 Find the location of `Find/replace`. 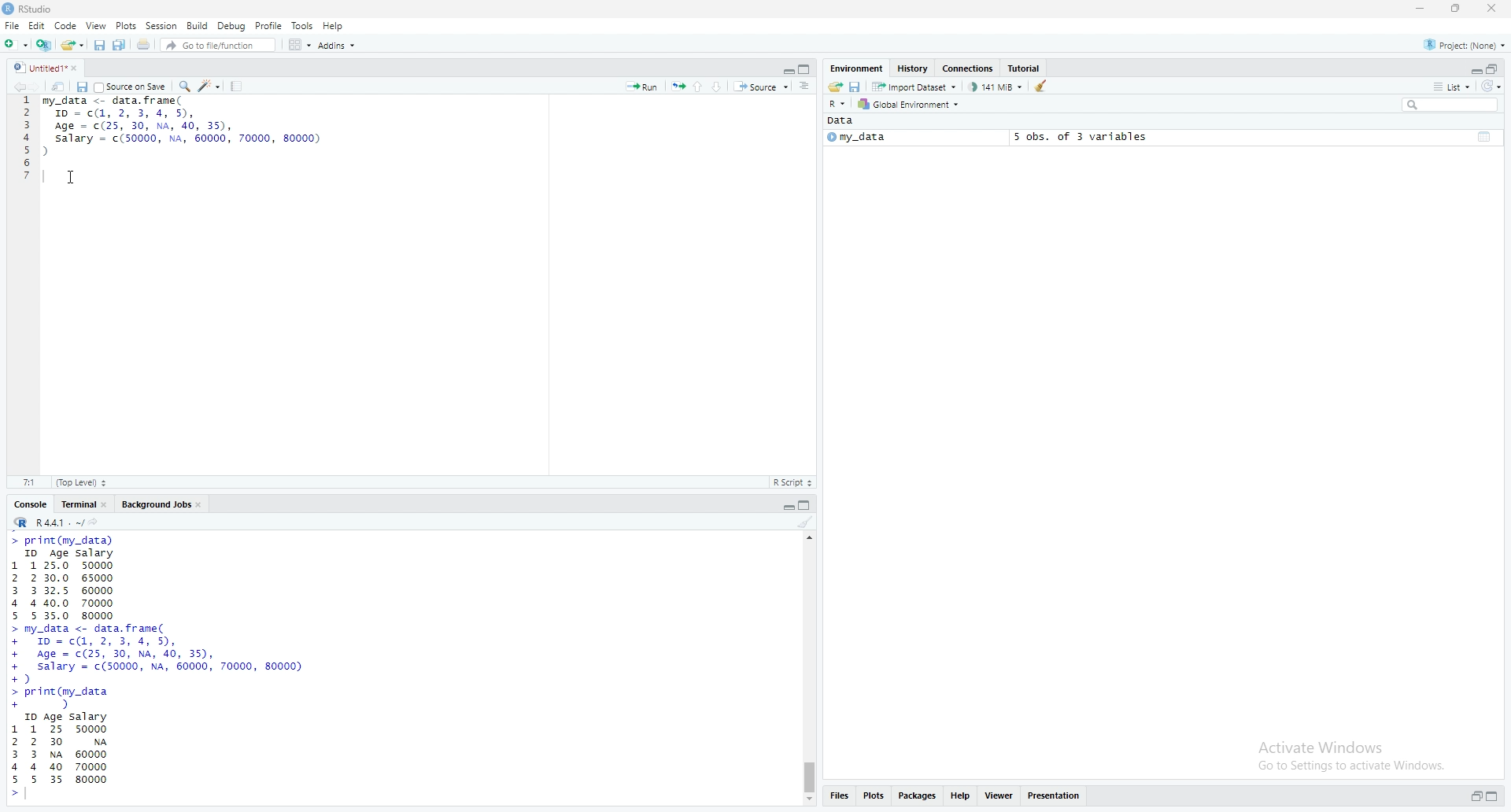

Find/replace is located at coordinates (186, 85).